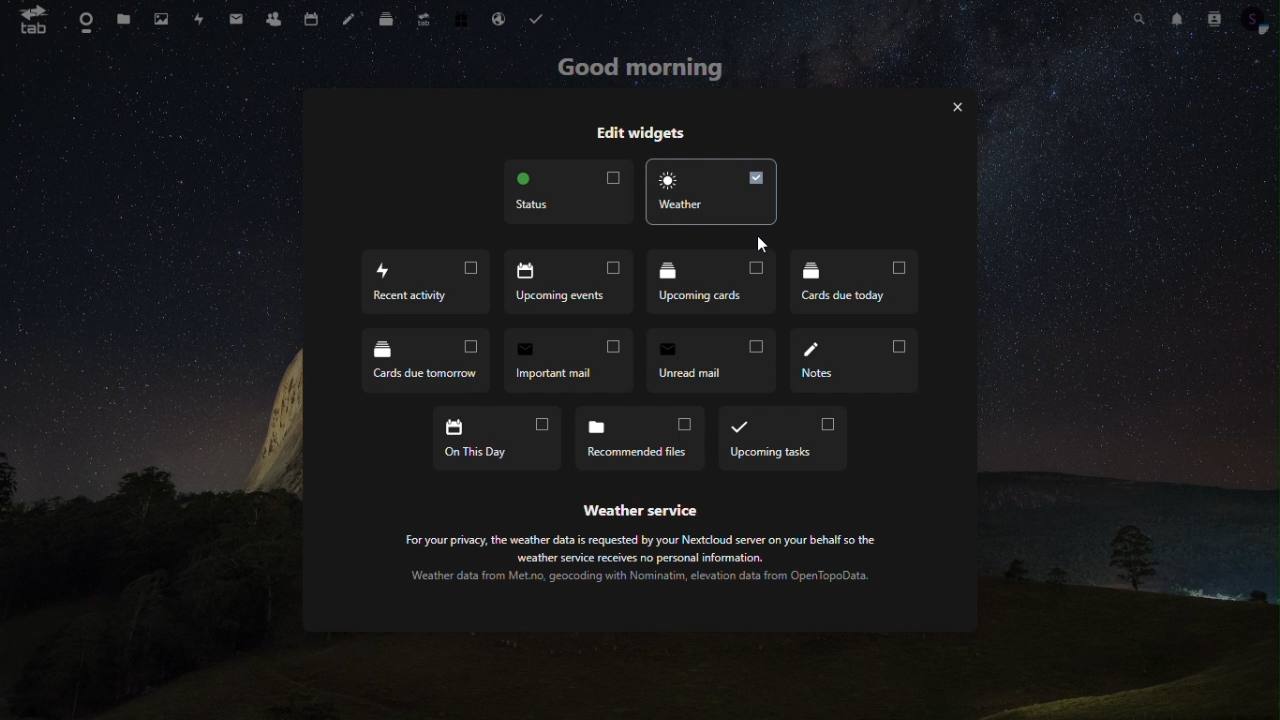 This screenshot has width=1280, height=720. What do you see at coordinates (716, 281) in the screenshot?
I see `upcoming cards` at bounding box center [716, 281].